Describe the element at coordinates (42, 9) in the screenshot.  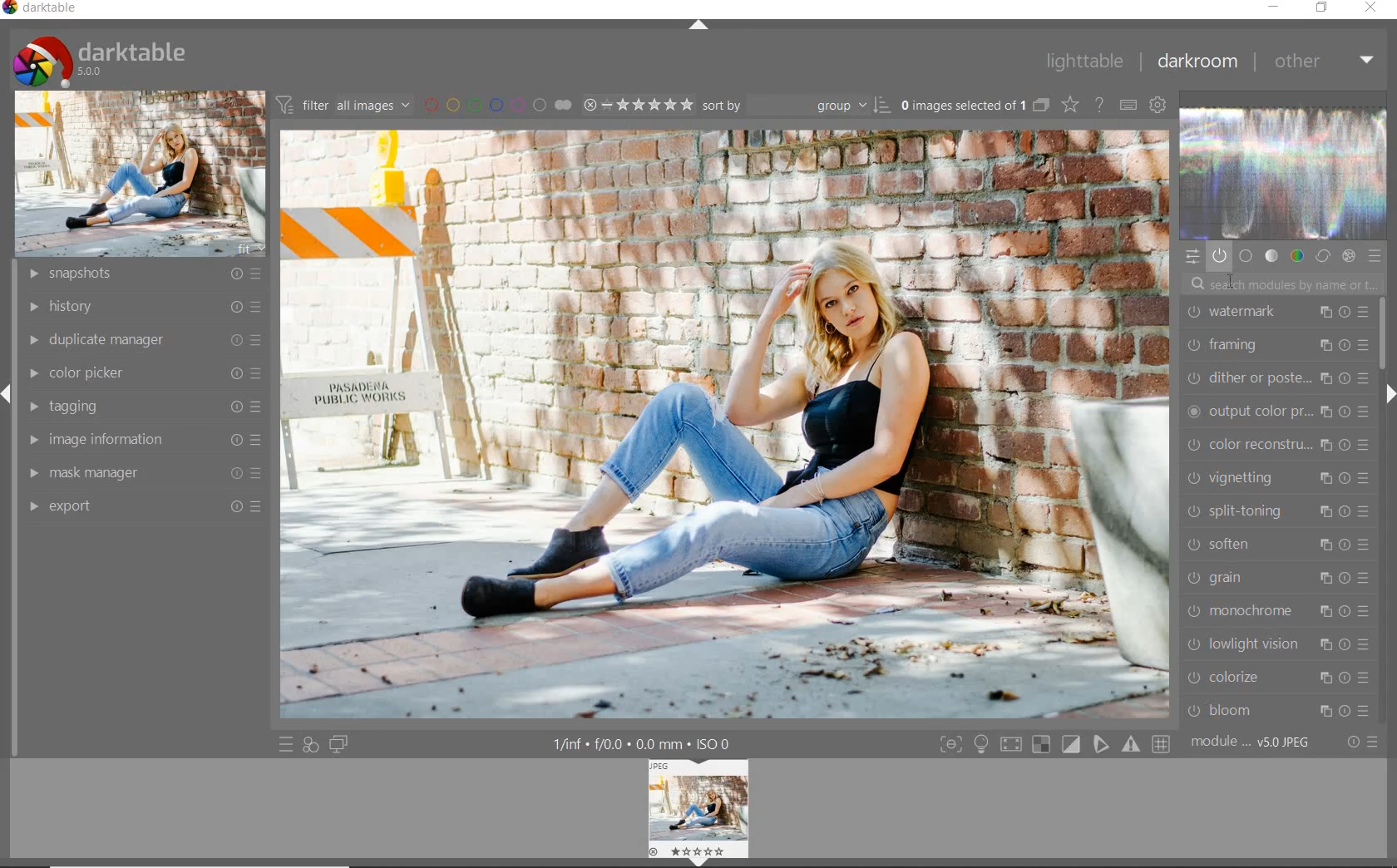
I see `system name` at that location.